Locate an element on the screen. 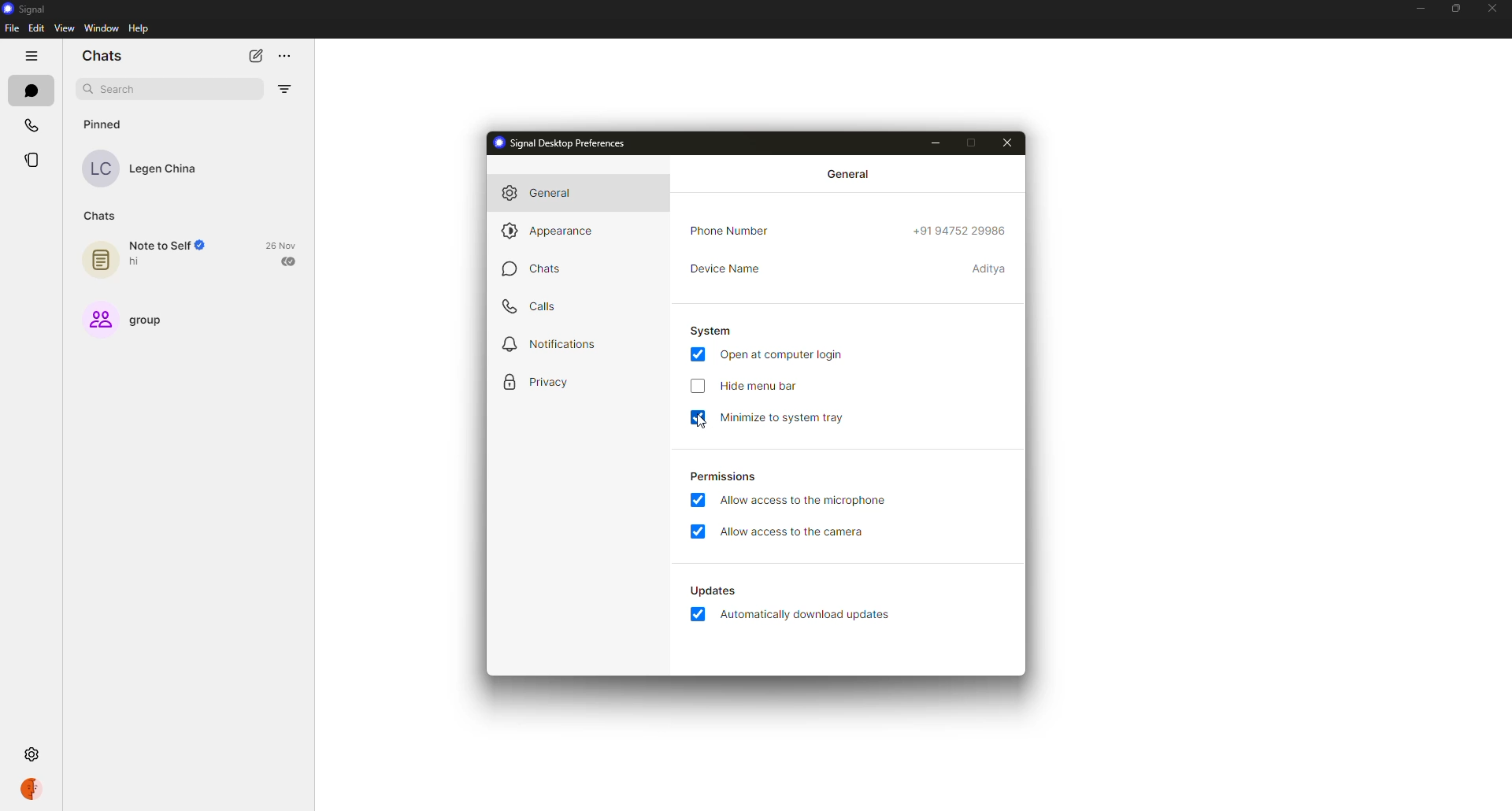  chats is located at coordinates (30, 90).